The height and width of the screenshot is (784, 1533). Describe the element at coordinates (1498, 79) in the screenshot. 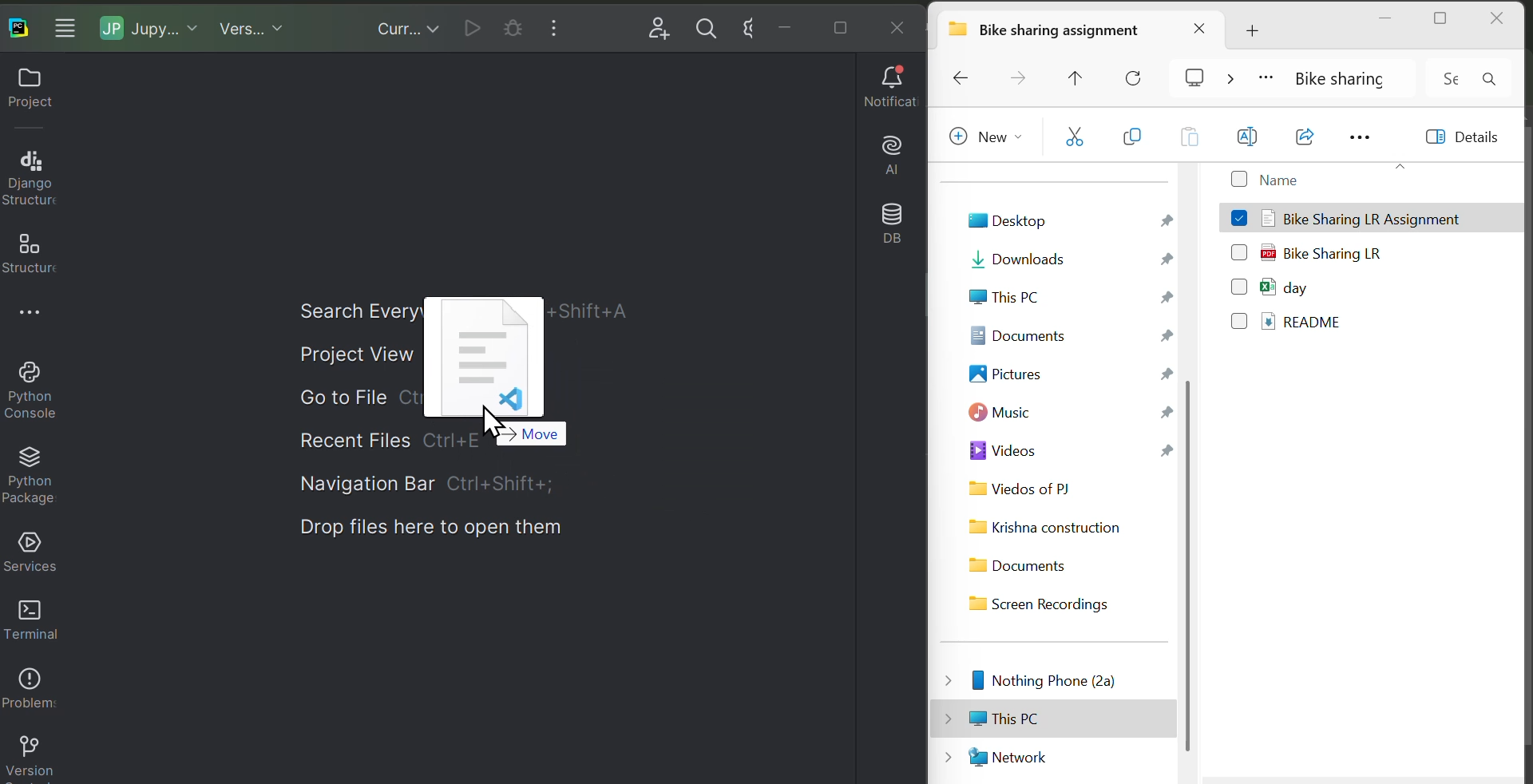

I see `search` at that location.